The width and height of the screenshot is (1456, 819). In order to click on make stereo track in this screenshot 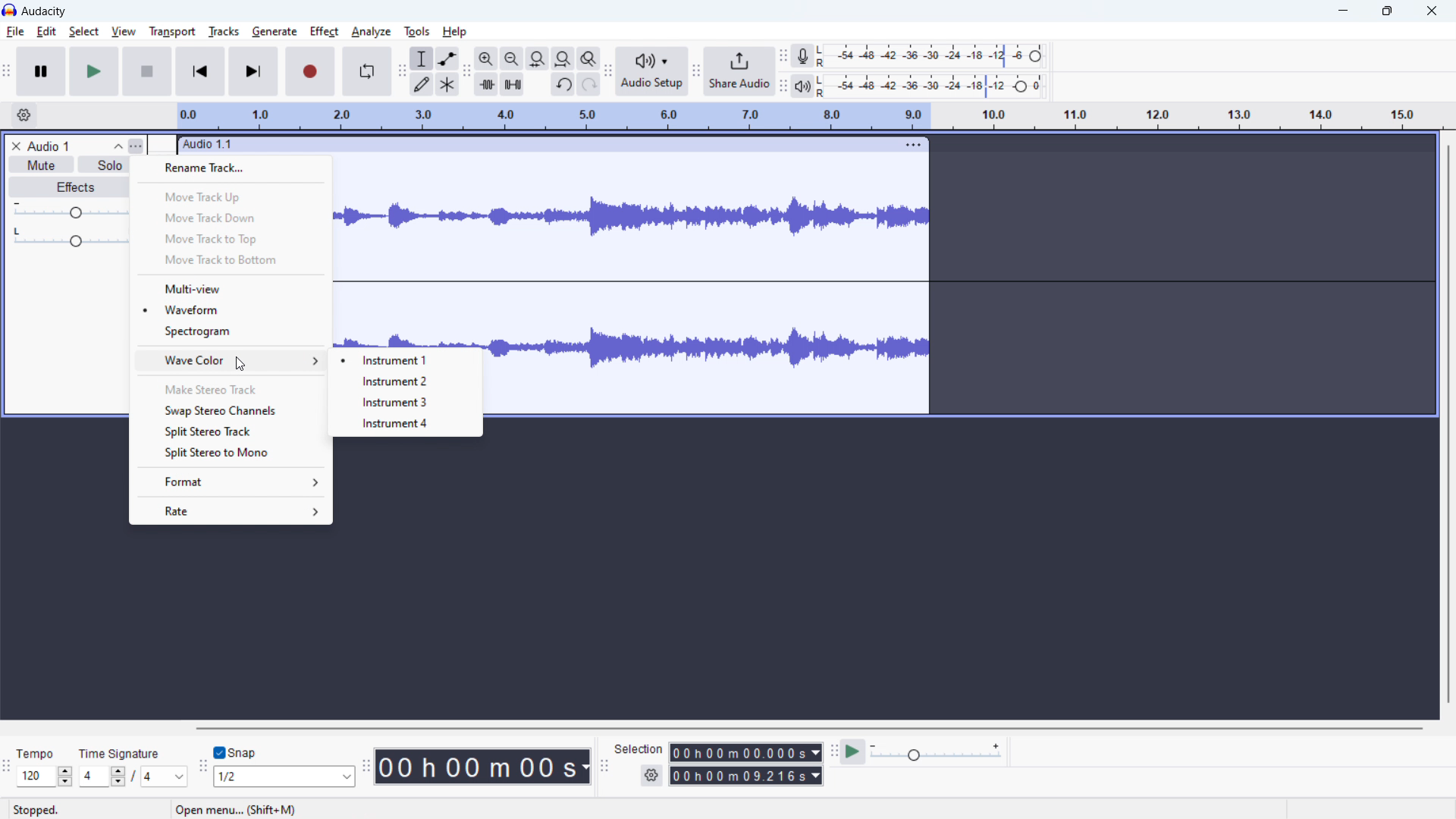, I will do `click(229, 389)`.